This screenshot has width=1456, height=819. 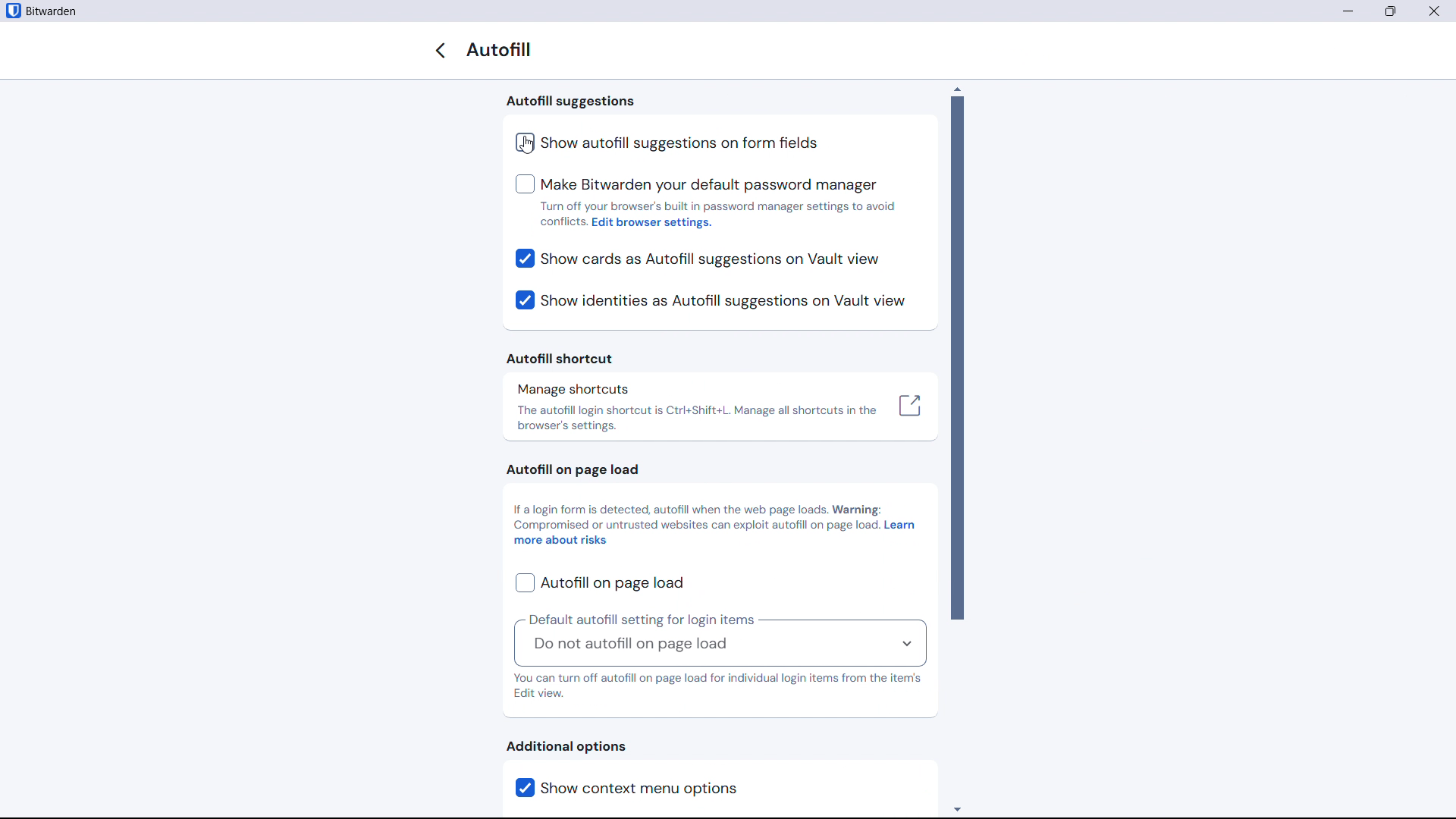 I want to click on autofill, so click(x=503, y=50).